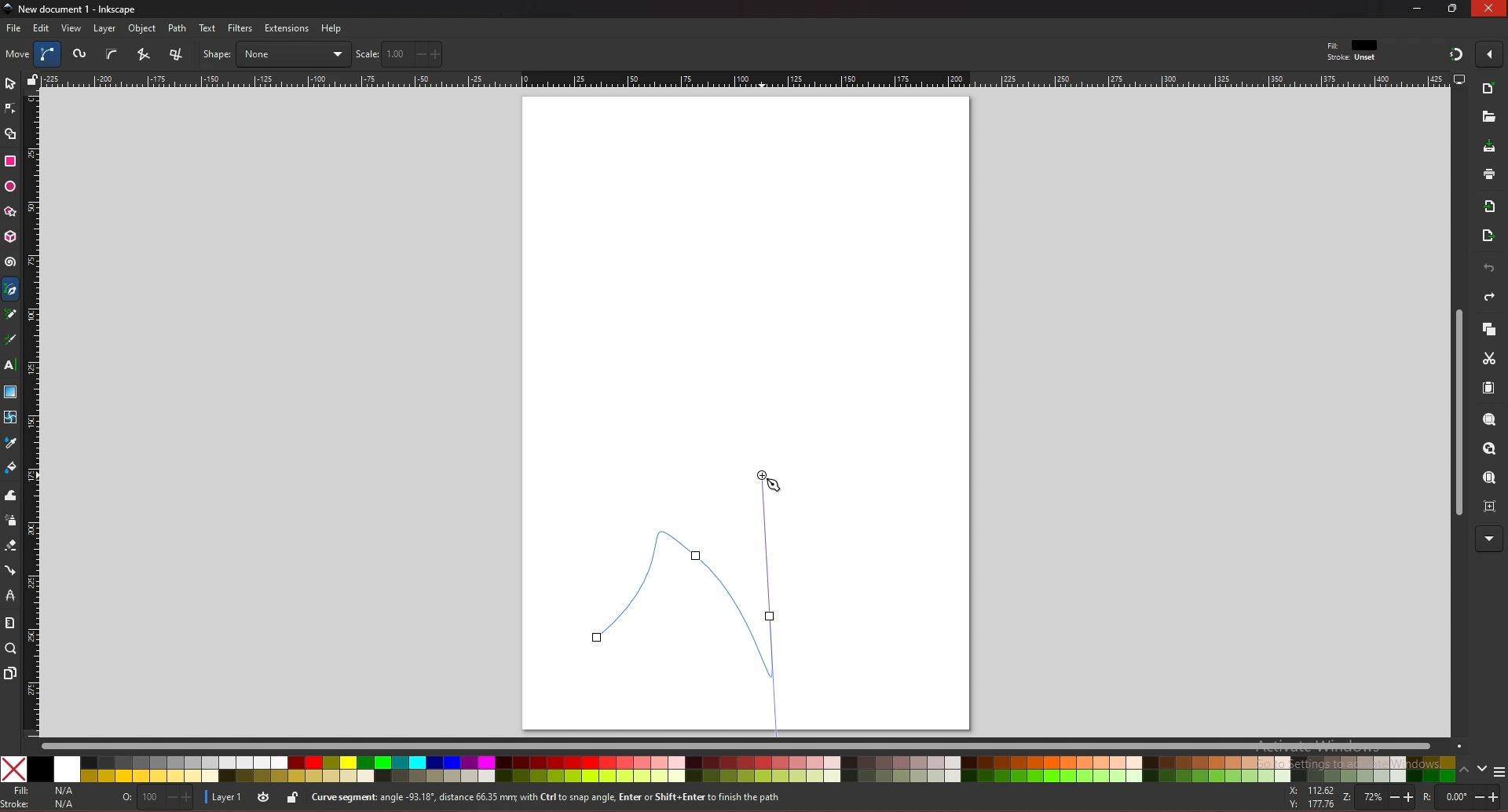  Describe the element at coordinates (143, 54) in the screenshot. I see `squence of straight line segments` at that location.